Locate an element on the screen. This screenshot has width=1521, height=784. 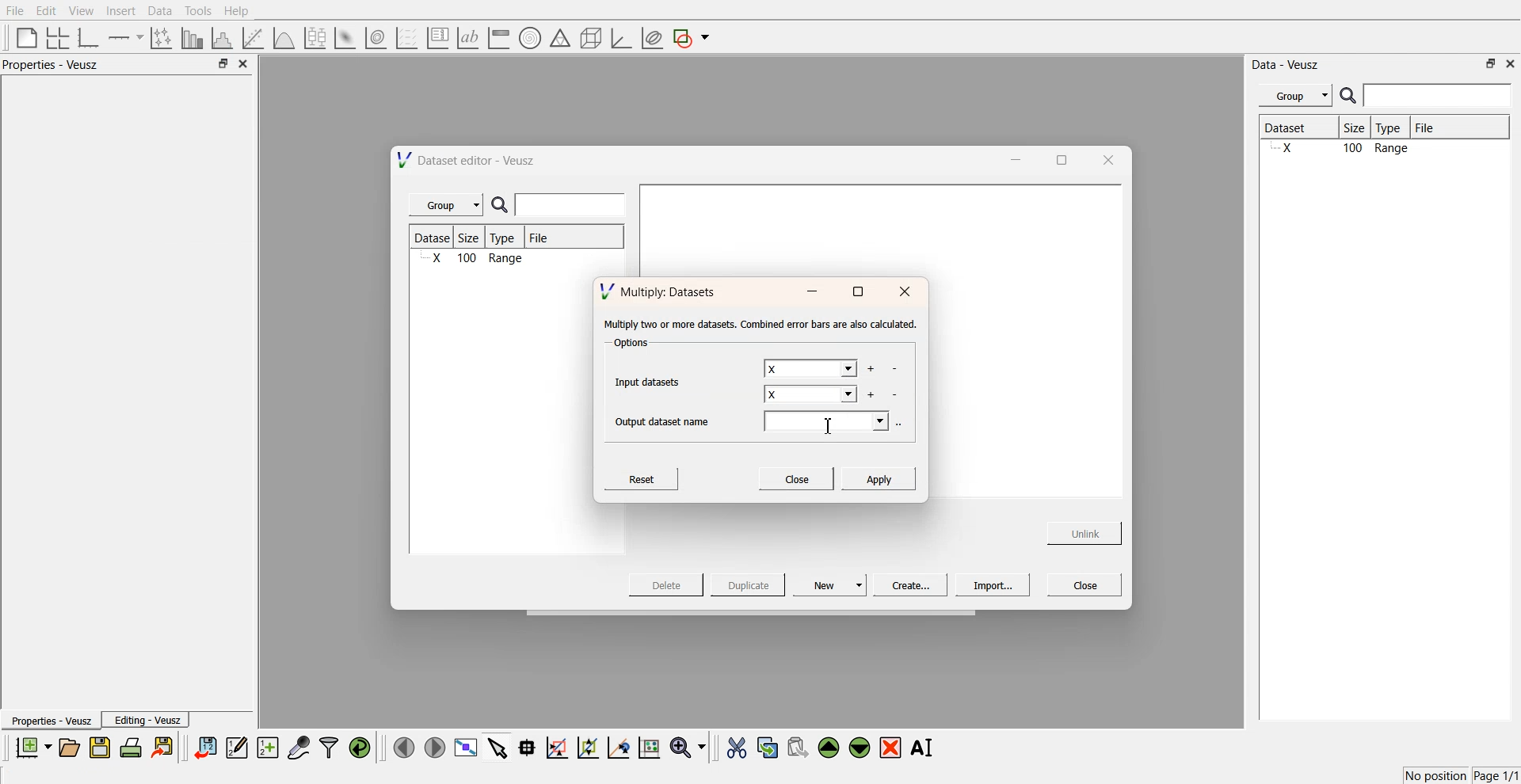
Input datasets is located at coordinates (651, 380).